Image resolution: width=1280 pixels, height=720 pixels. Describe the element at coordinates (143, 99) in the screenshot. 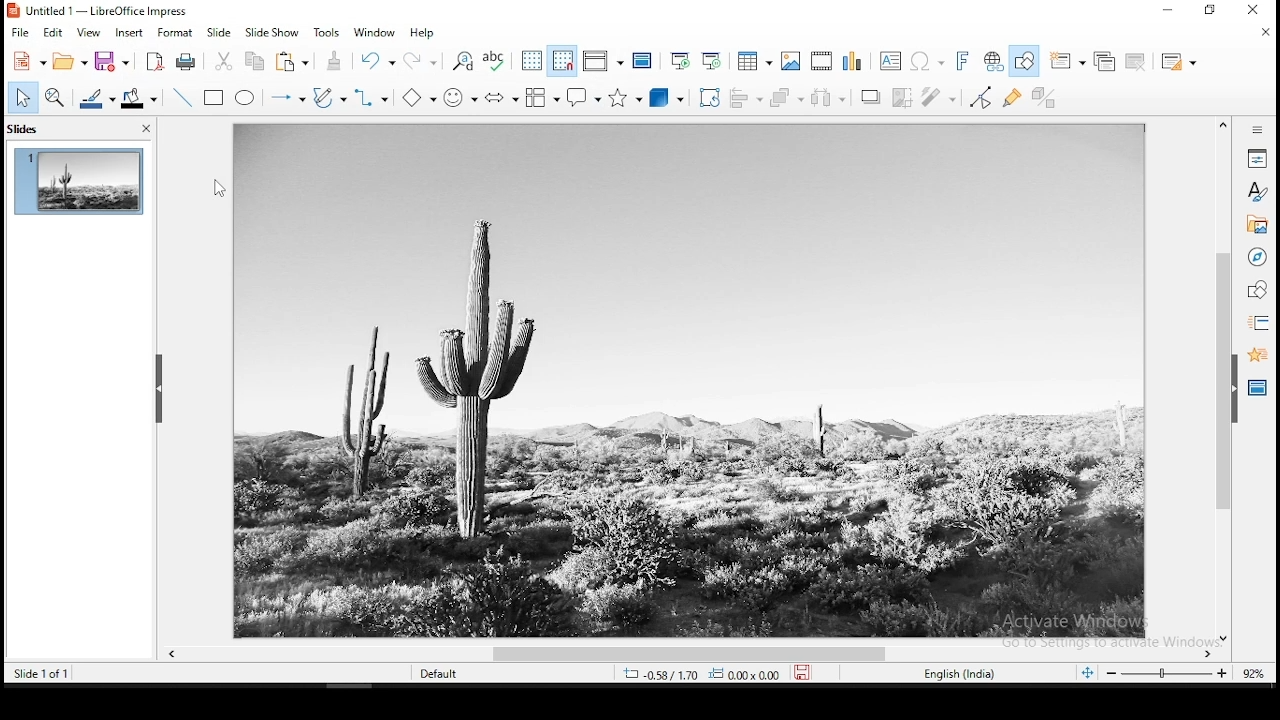

I see `fill color` at that location.